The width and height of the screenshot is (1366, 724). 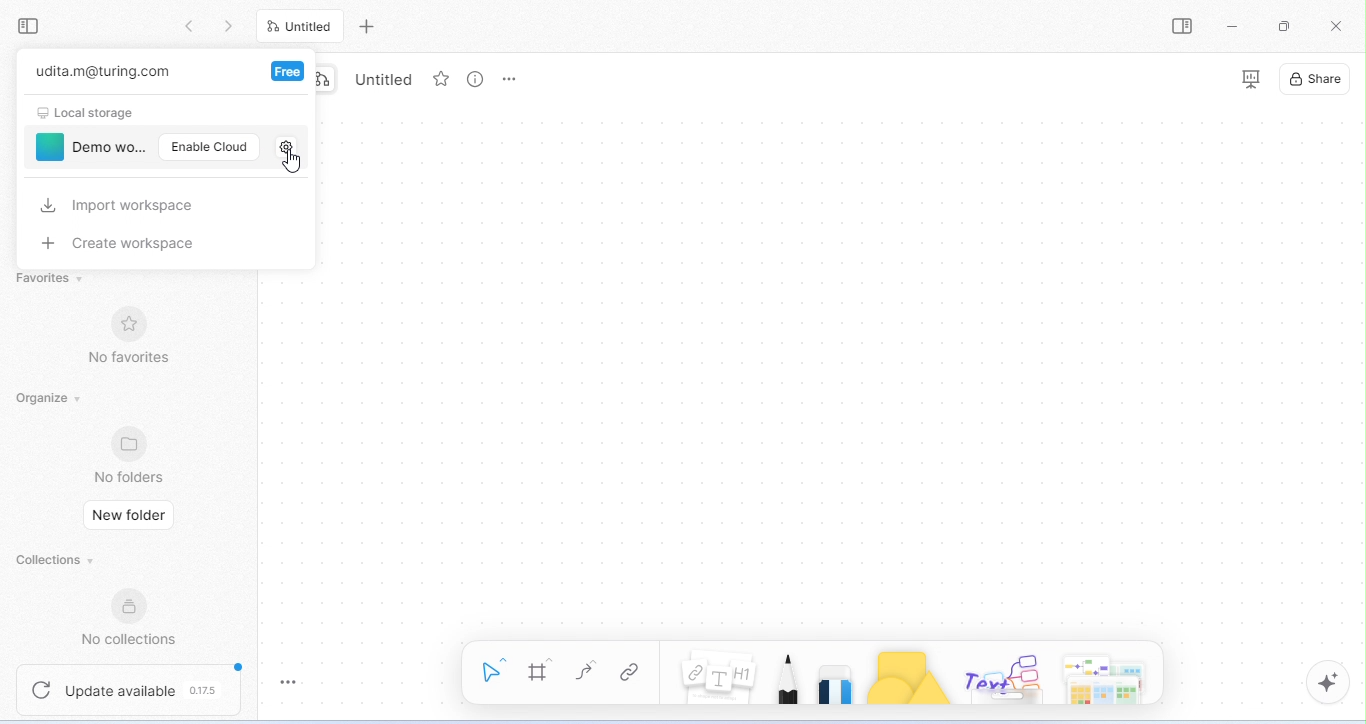 What do you see at coordinates (1320, 683) in the screenshot?
I see `AI assistant` at bounding box center [1320, 683].